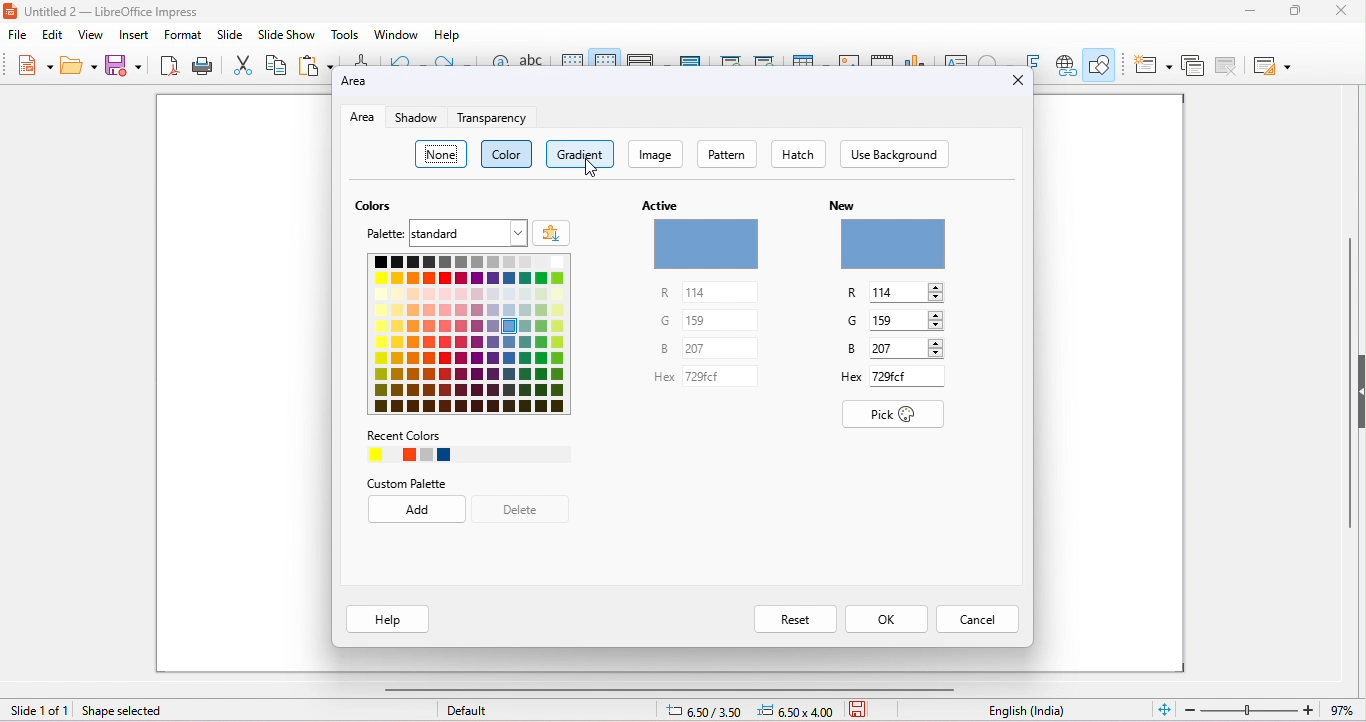 This screenshot has width=1366, height=722. I want to click on open, so click(79, 65).